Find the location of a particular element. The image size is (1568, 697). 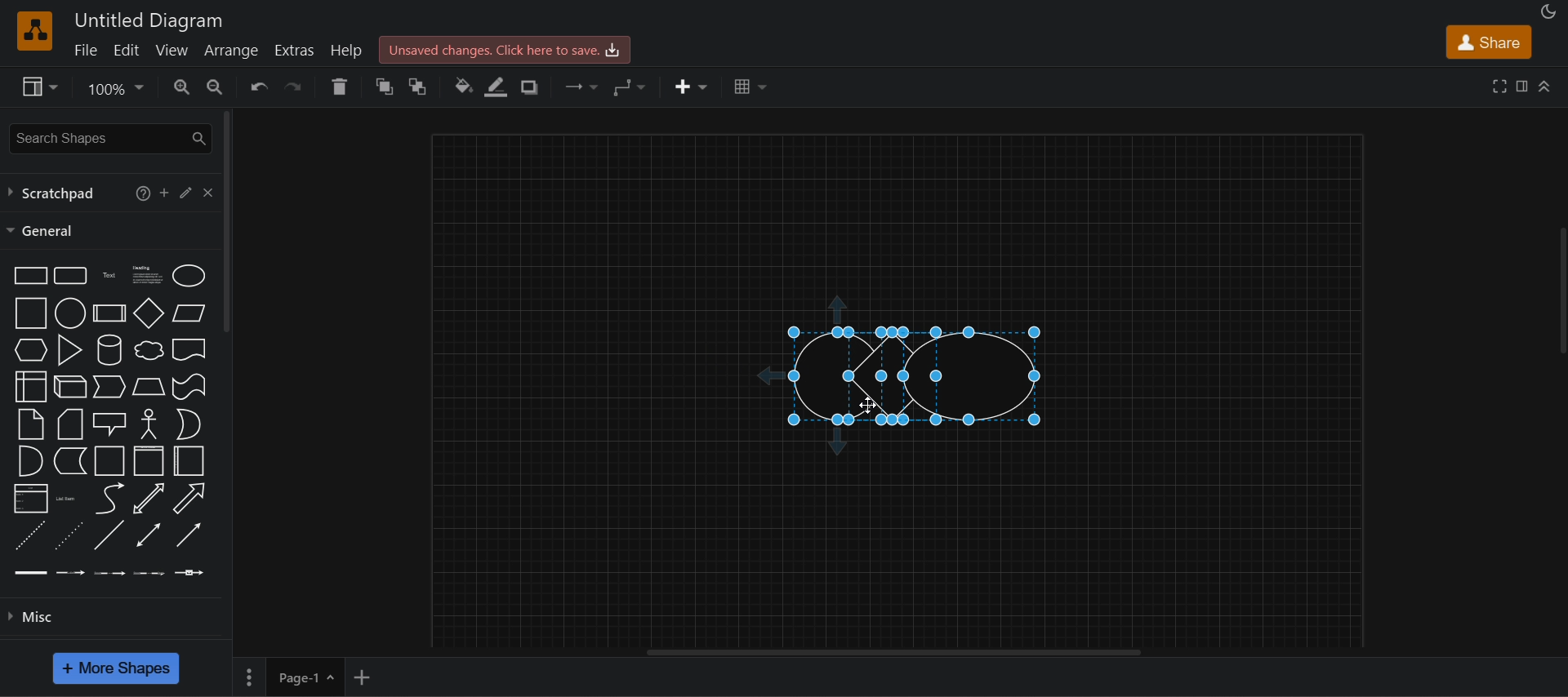

dotted line is located at coordinates (68, 535).